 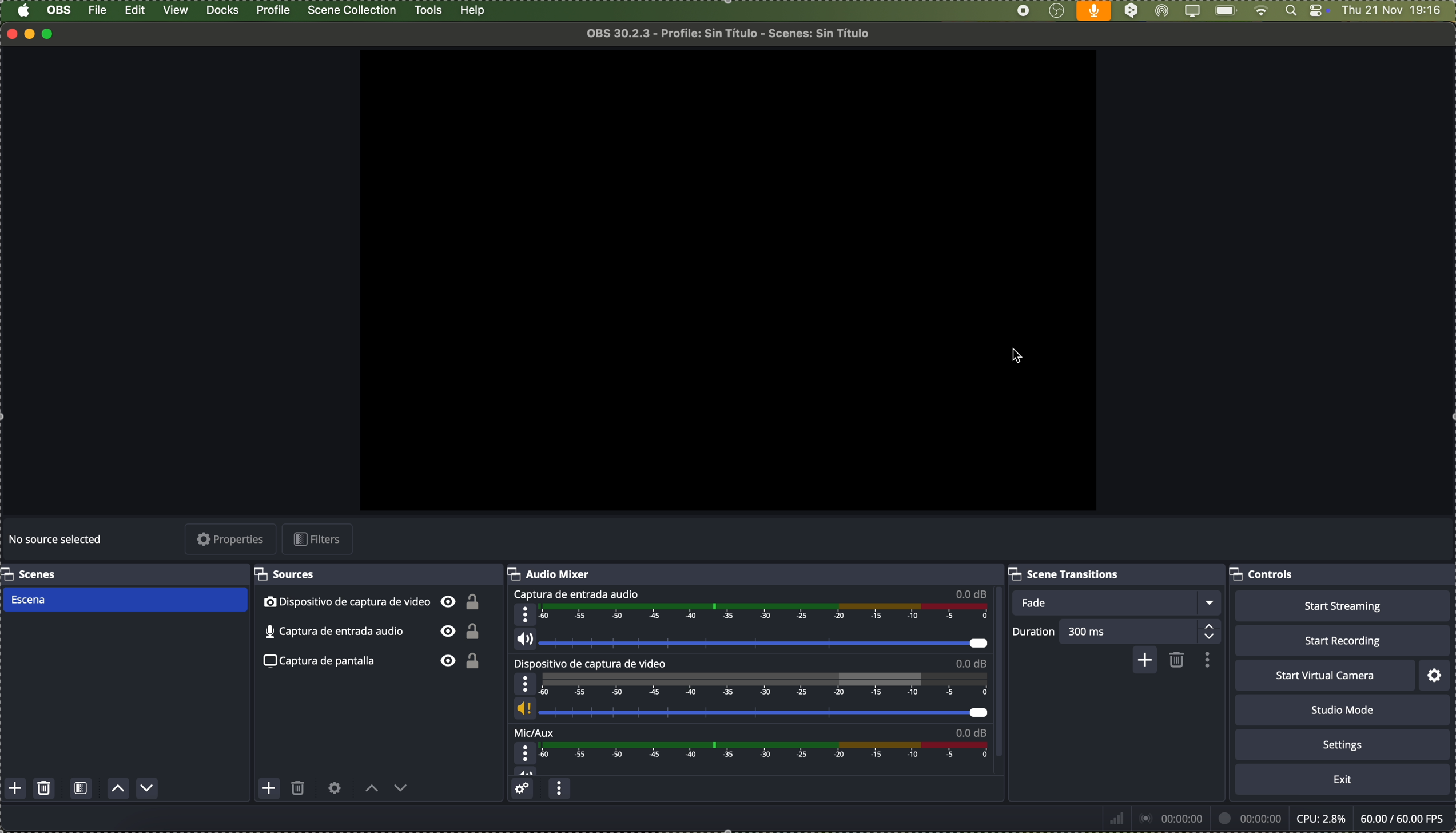 What do you see at coordinates (223, 11) in the screenshot?
I see `docks` at bounding box center [223, 11].